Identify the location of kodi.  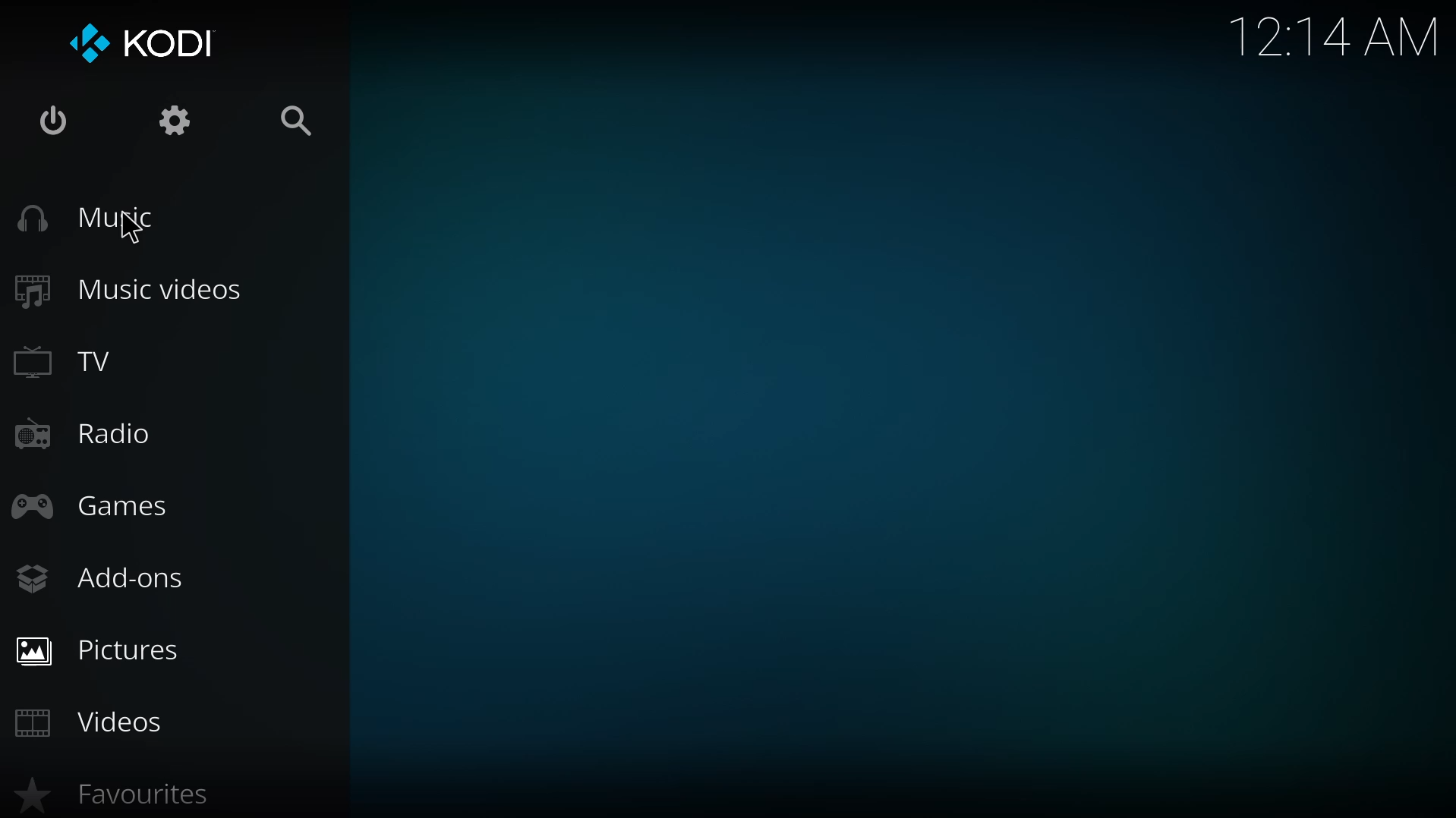
(147, 39).